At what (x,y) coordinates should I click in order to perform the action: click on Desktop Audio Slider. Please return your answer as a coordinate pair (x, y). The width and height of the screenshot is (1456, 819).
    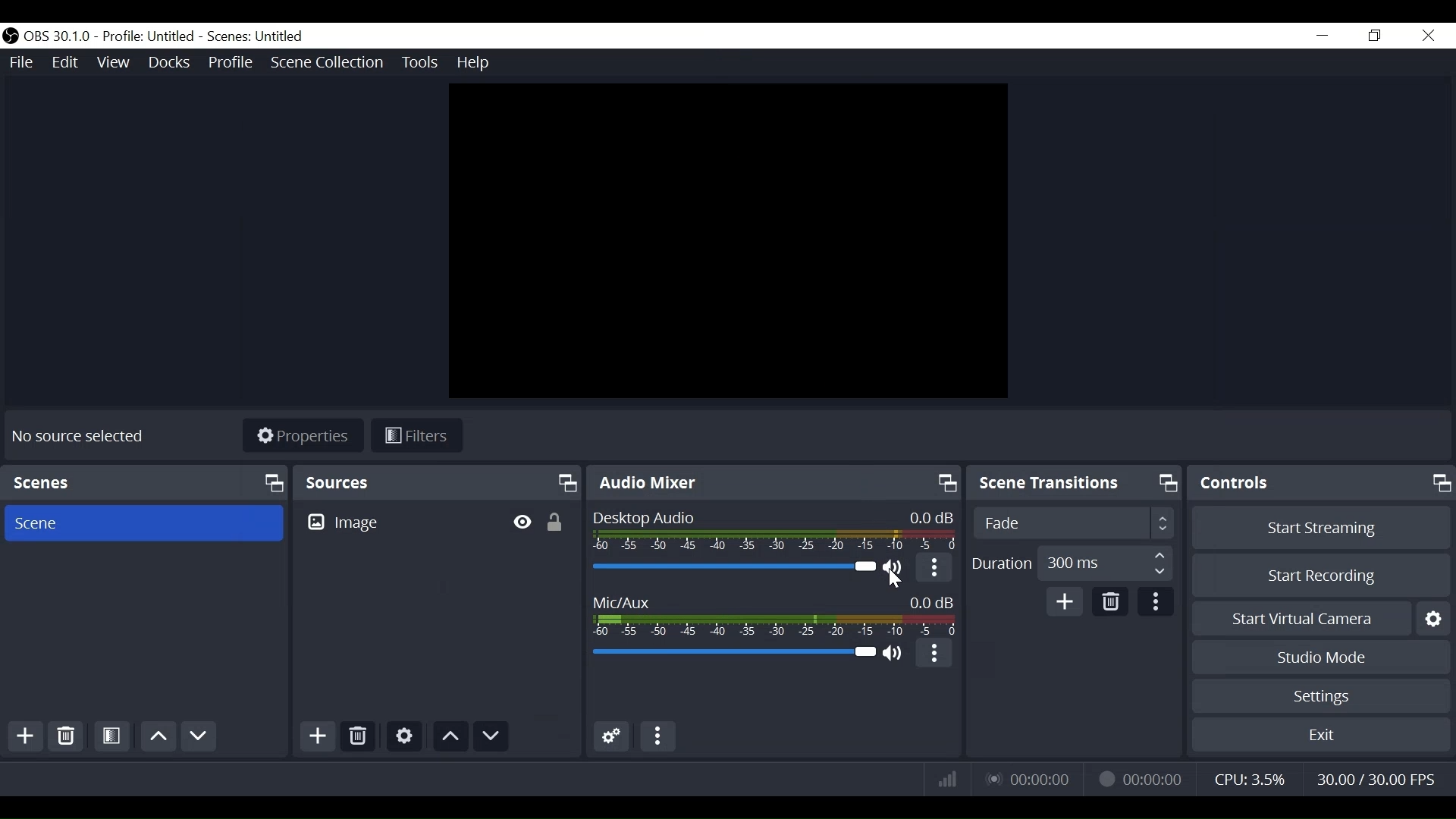
    Looking at the image, I should click on (732, 566).